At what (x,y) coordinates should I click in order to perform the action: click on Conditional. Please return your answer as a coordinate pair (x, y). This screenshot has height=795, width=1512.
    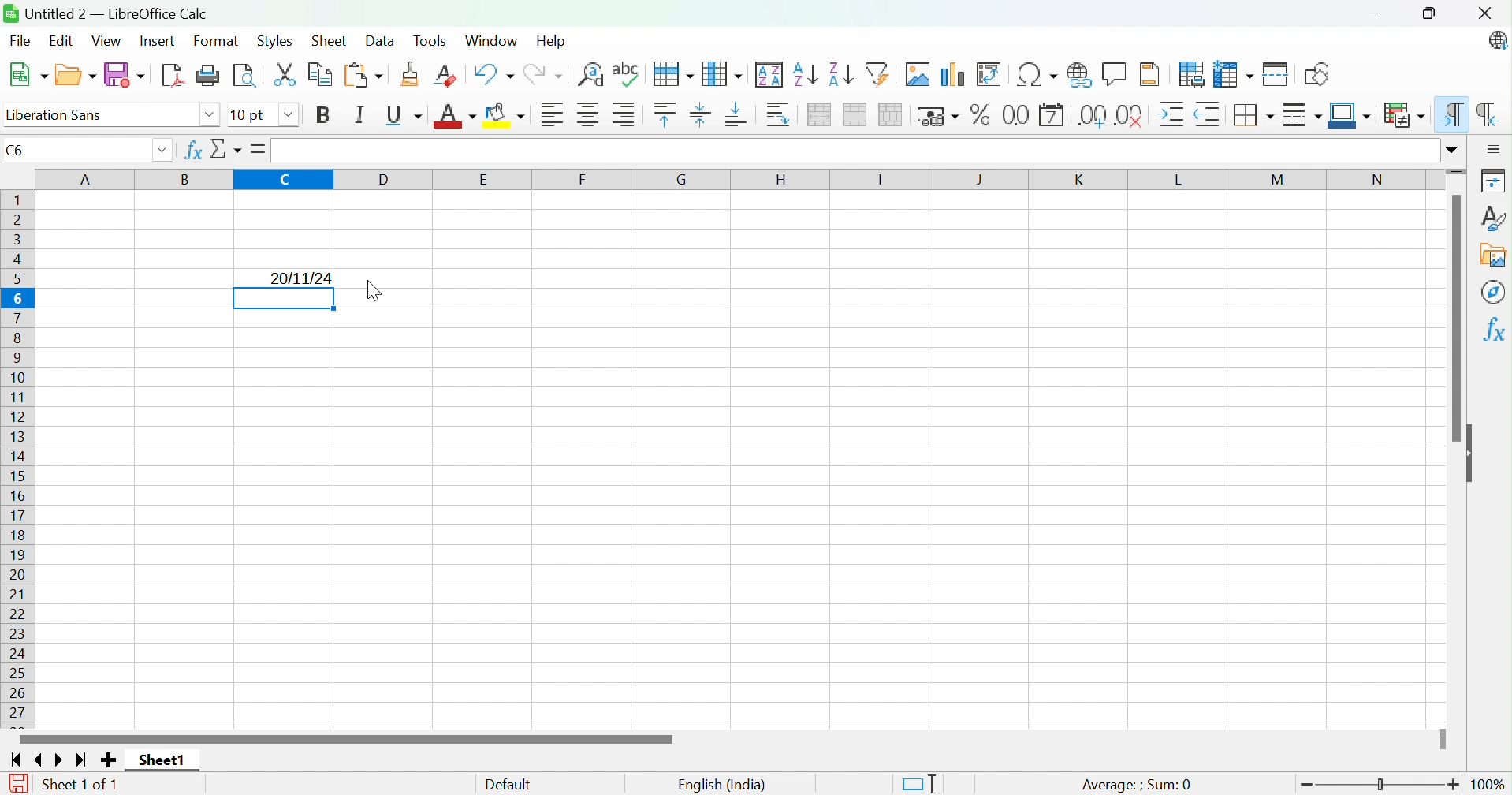
    Looking at the image, I should click on (1403, 114).